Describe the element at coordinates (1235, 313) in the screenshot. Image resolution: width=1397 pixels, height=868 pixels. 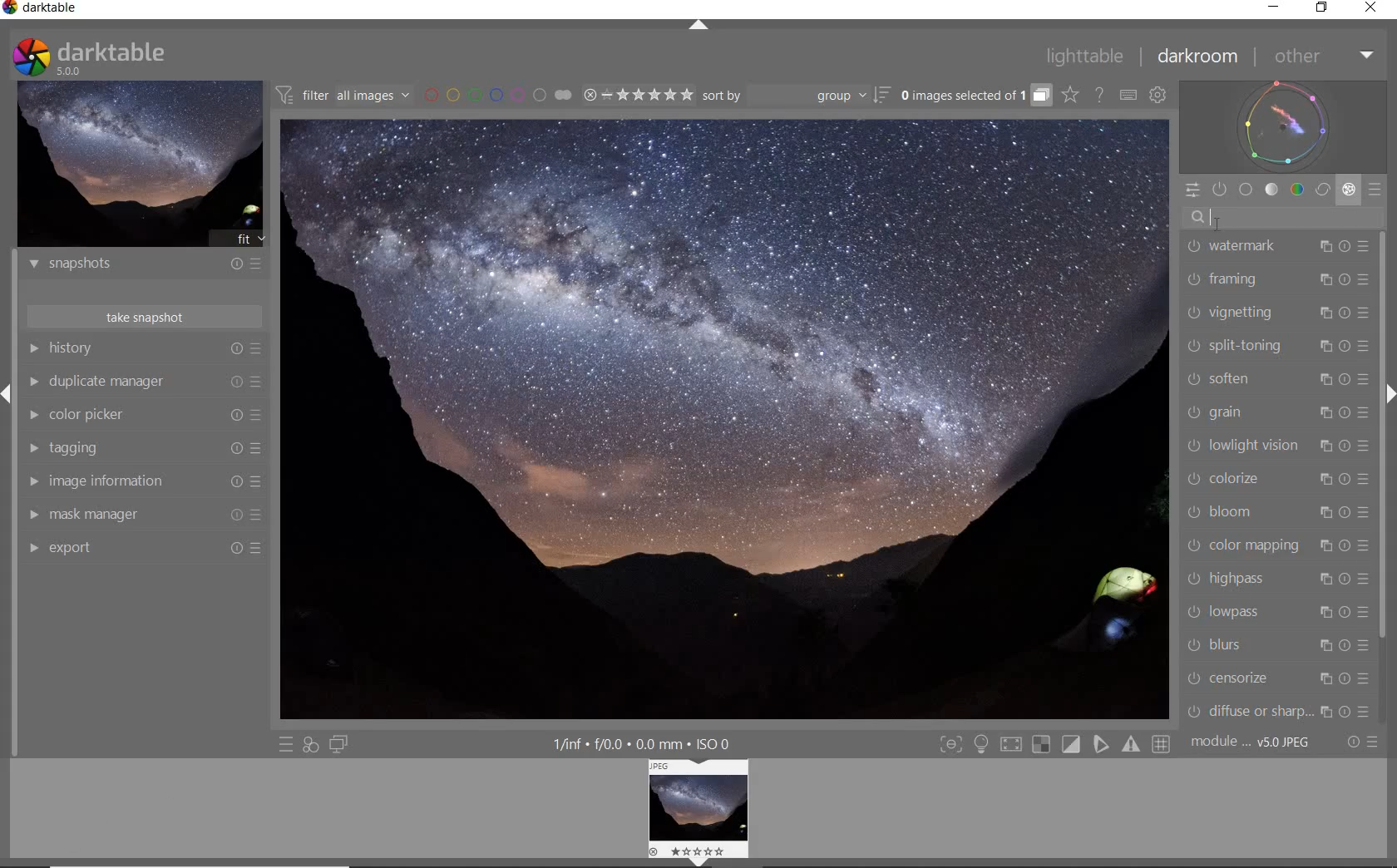
I see `VIGNETTING` at that location.